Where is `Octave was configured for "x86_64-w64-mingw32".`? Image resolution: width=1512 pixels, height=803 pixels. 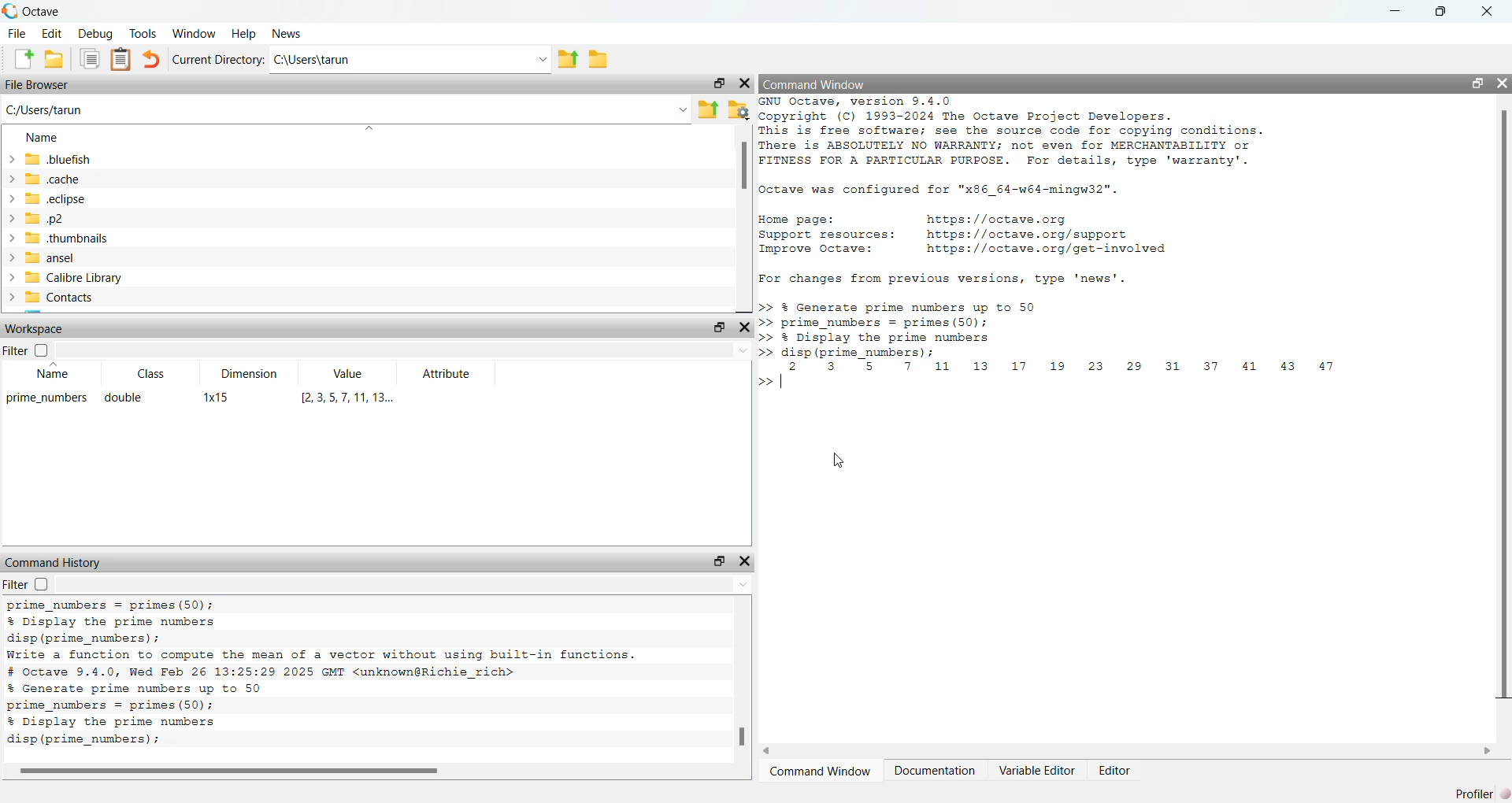
Octave was configured for "x86_64-w64-mingw32". is located at coordinates (940, 191).